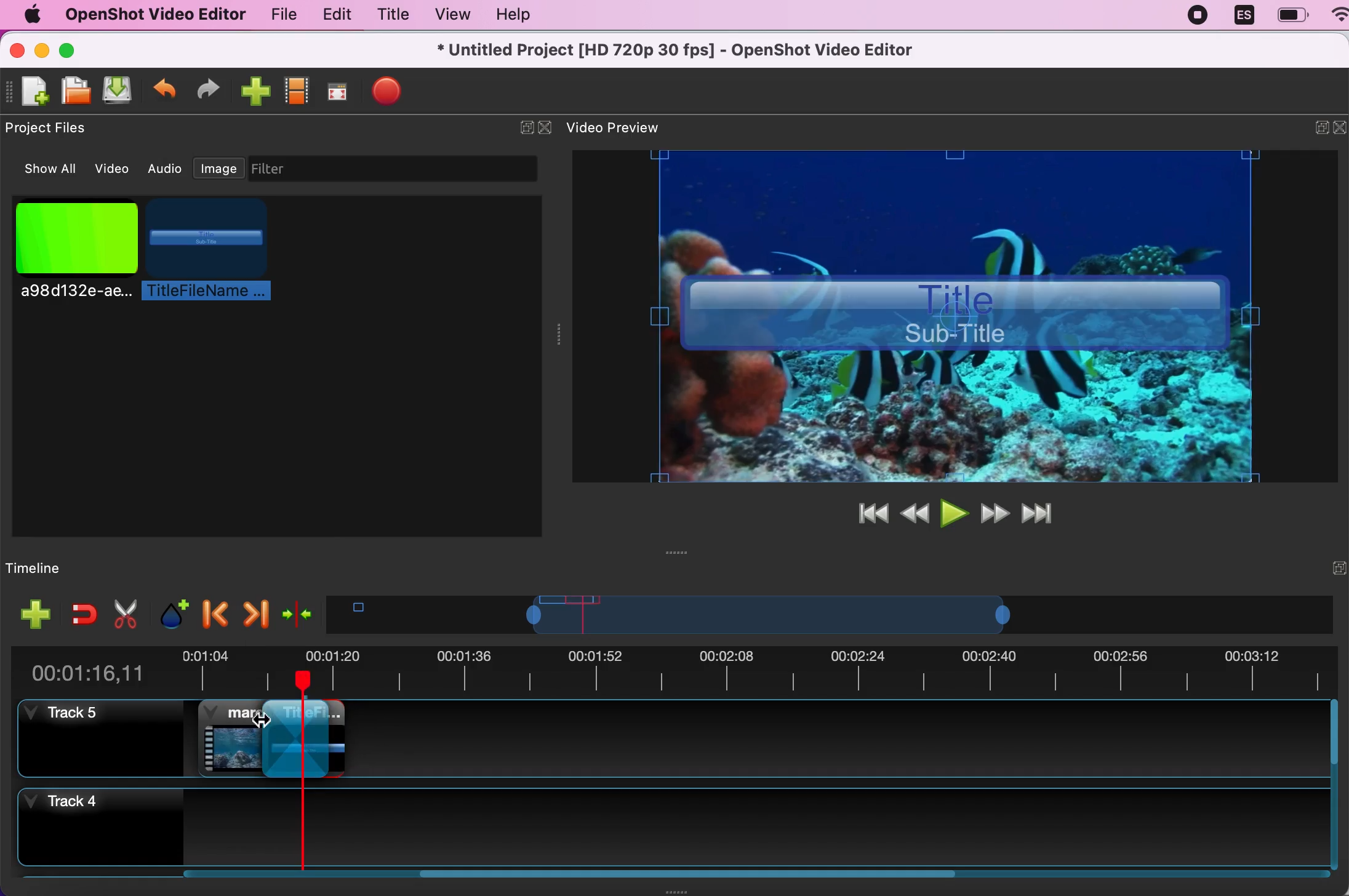 Image resolution: width=1349 pixels, height=896 pixels. What do you see at coordinates (545, 128) in the screenshot?
I see `close` at bounding box center [545, 128].